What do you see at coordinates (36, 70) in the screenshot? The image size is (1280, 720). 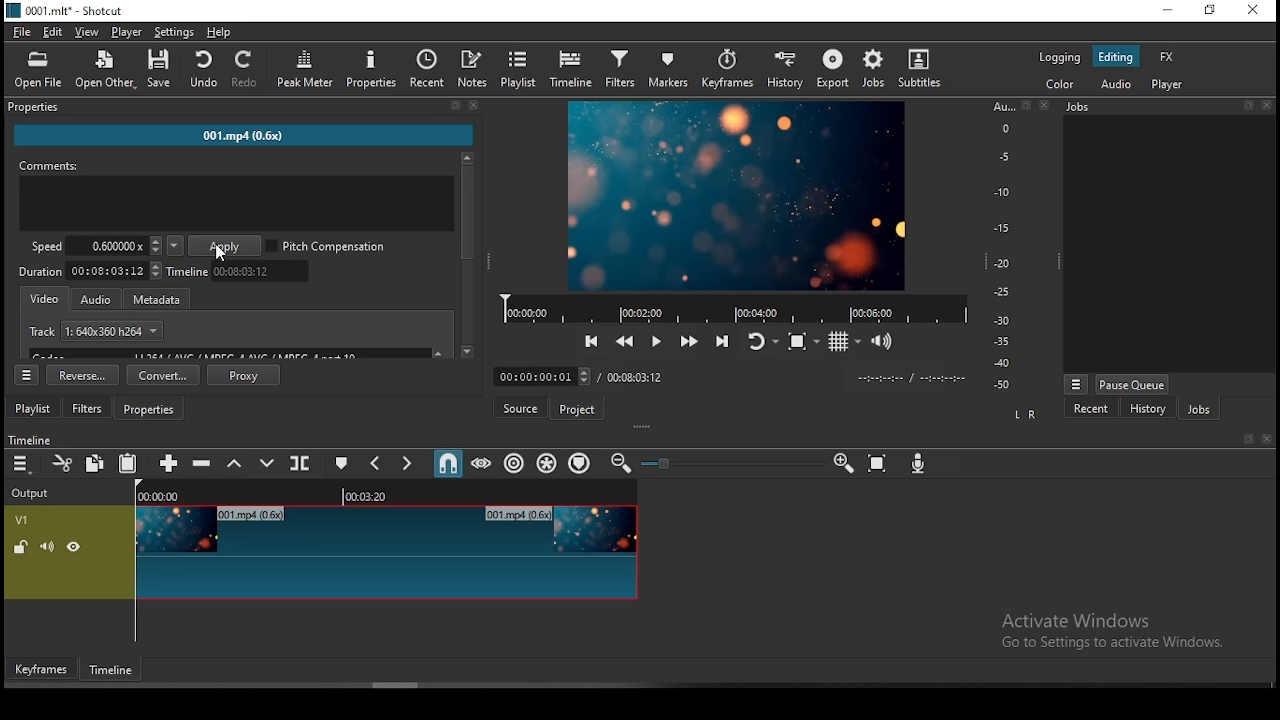 I see `Open file` at bounding box center [36, 70].